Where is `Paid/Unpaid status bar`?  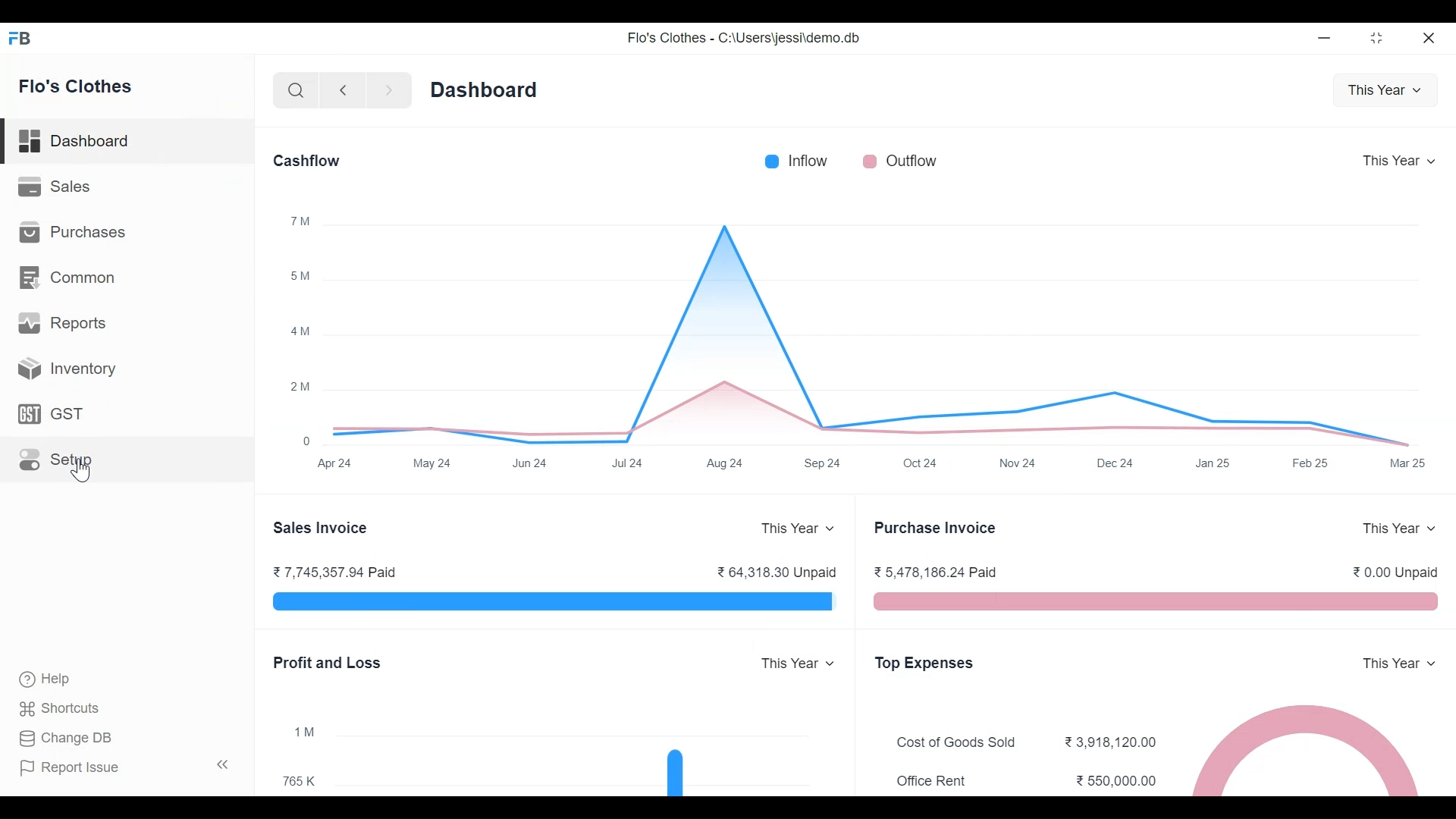
Paid/Unpaid status bar is located at coordinates (1156, 605).